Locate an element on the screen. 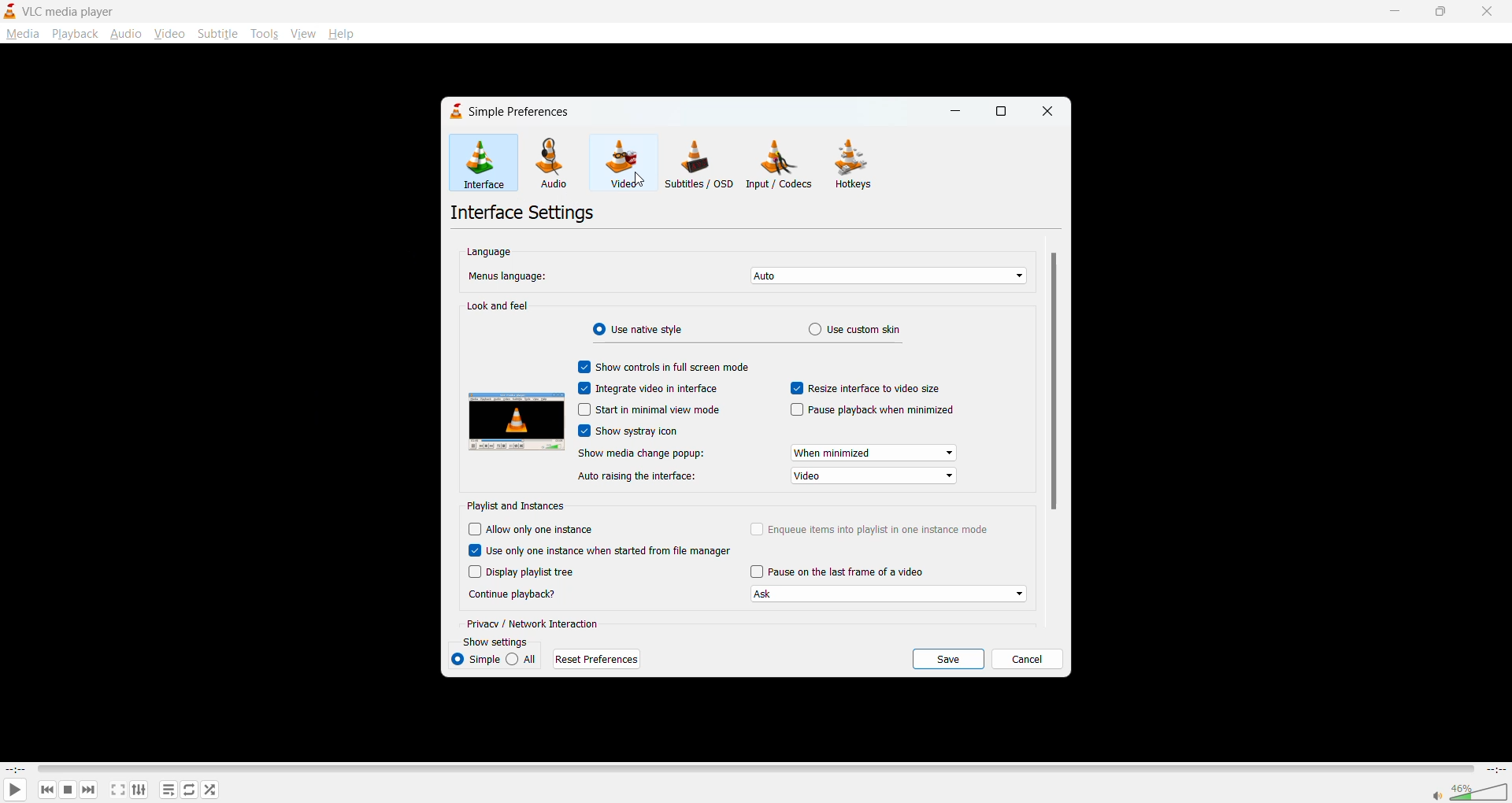 The height and width of the screenshot is (803, 1512). random is located at coordinates (208, 788).